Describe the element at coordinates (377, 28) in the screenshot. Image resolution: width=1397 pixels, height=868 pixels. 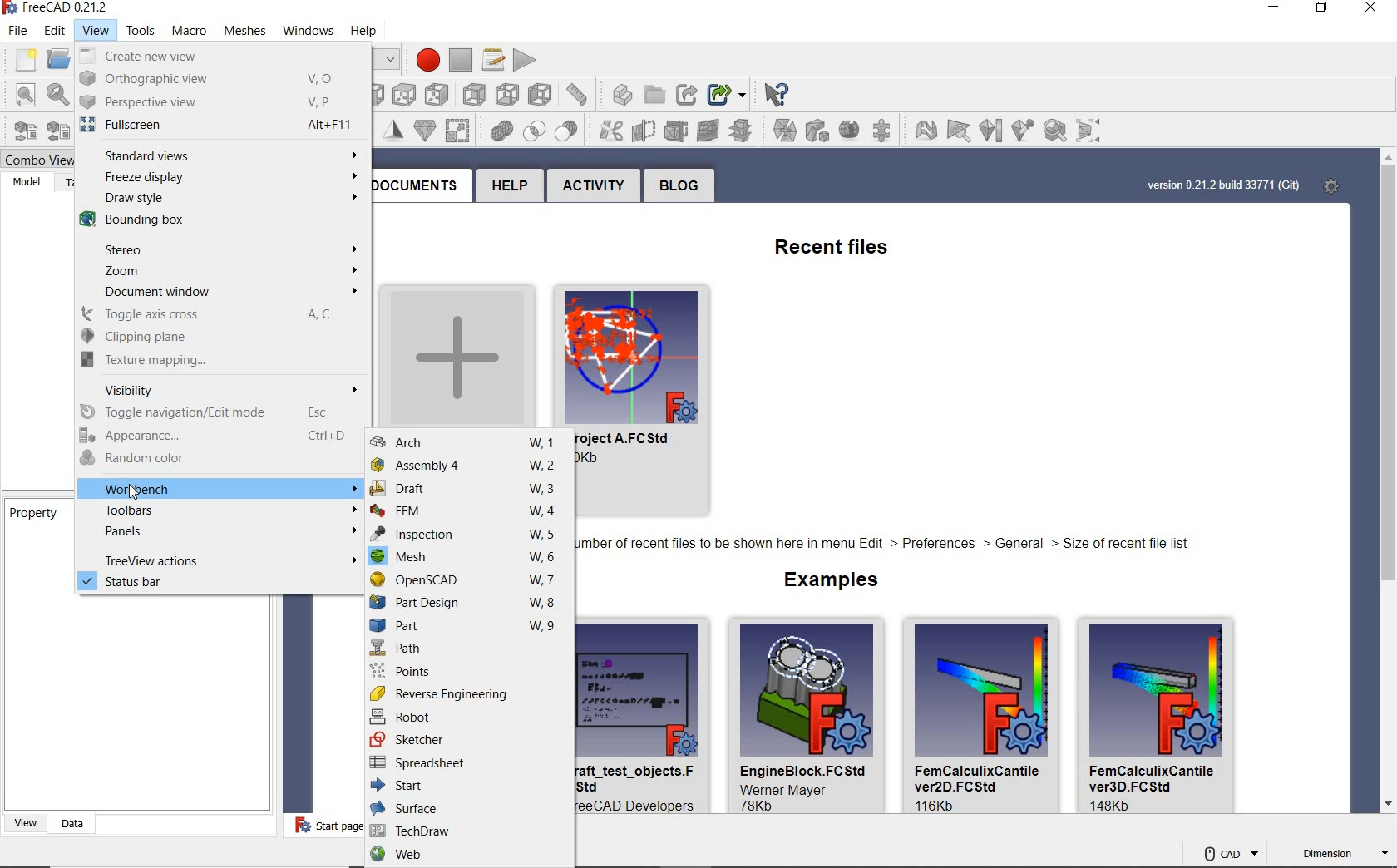
I see `help` at that location.